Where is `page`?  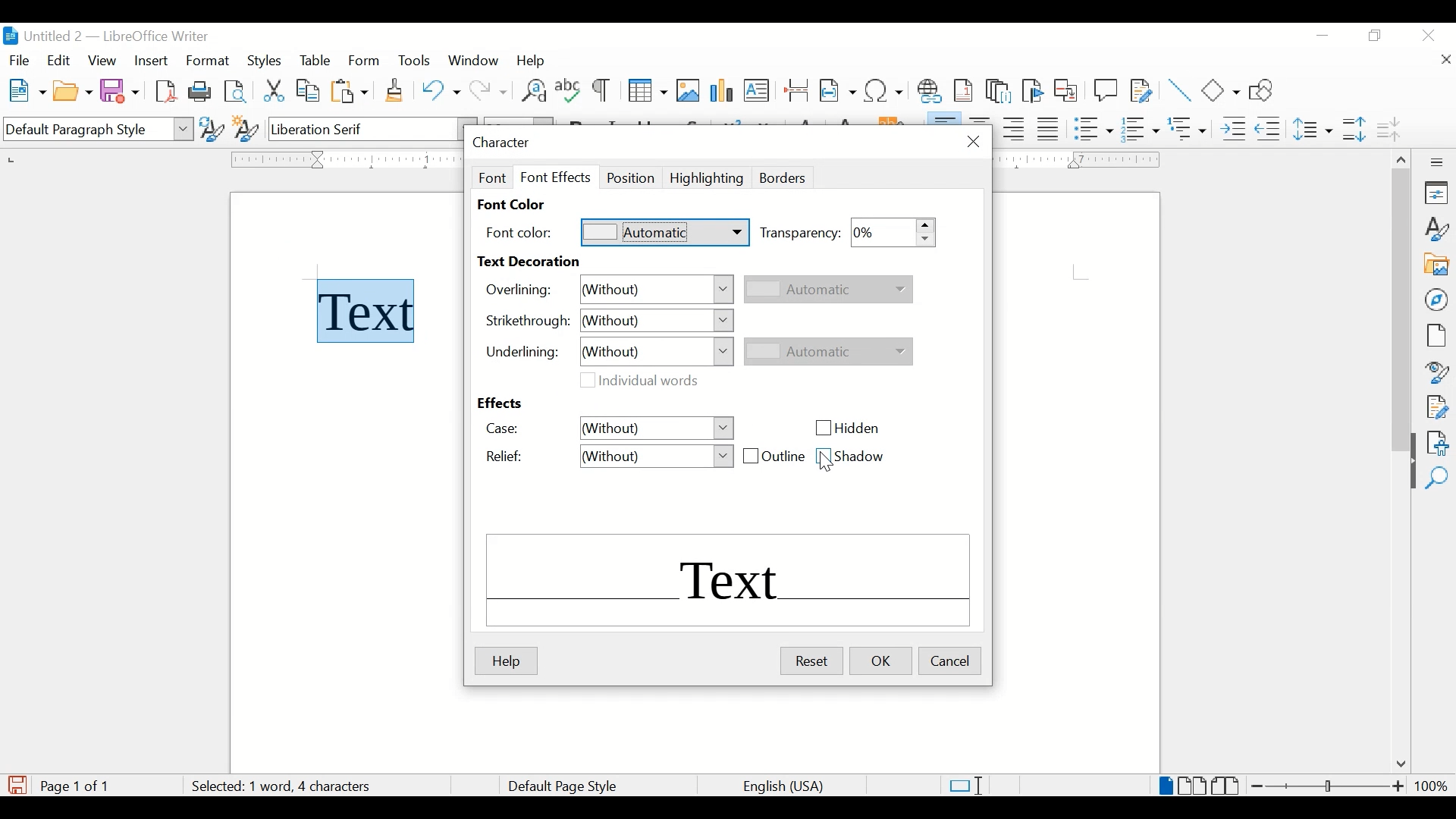 page is located at coordinates (1436, 335).